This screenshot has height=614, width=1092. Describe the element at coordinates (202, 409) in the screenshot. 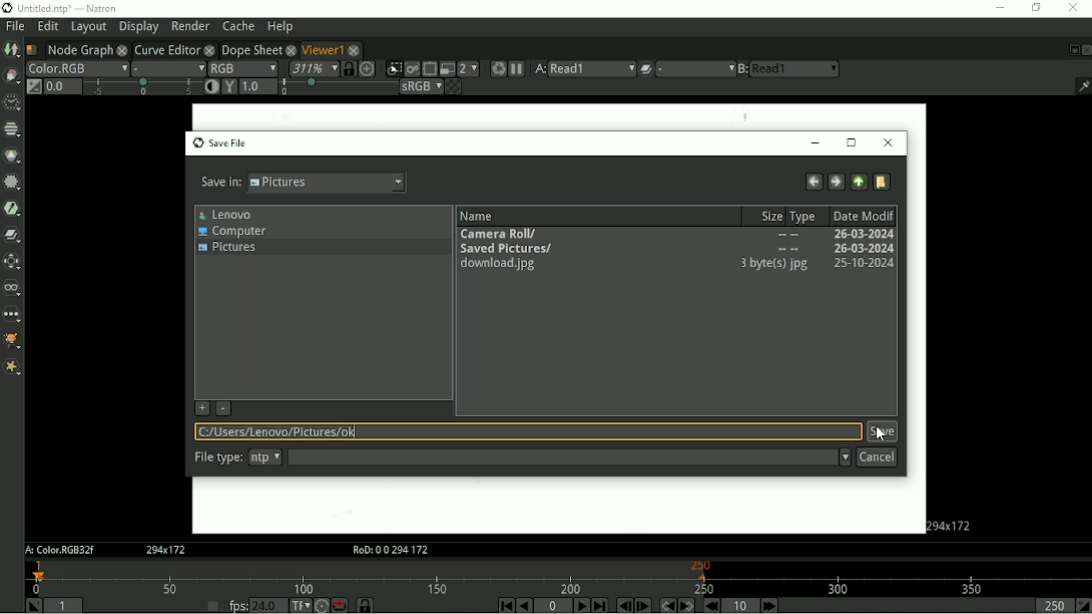

I see `Add current directory from favorite list` at that location.